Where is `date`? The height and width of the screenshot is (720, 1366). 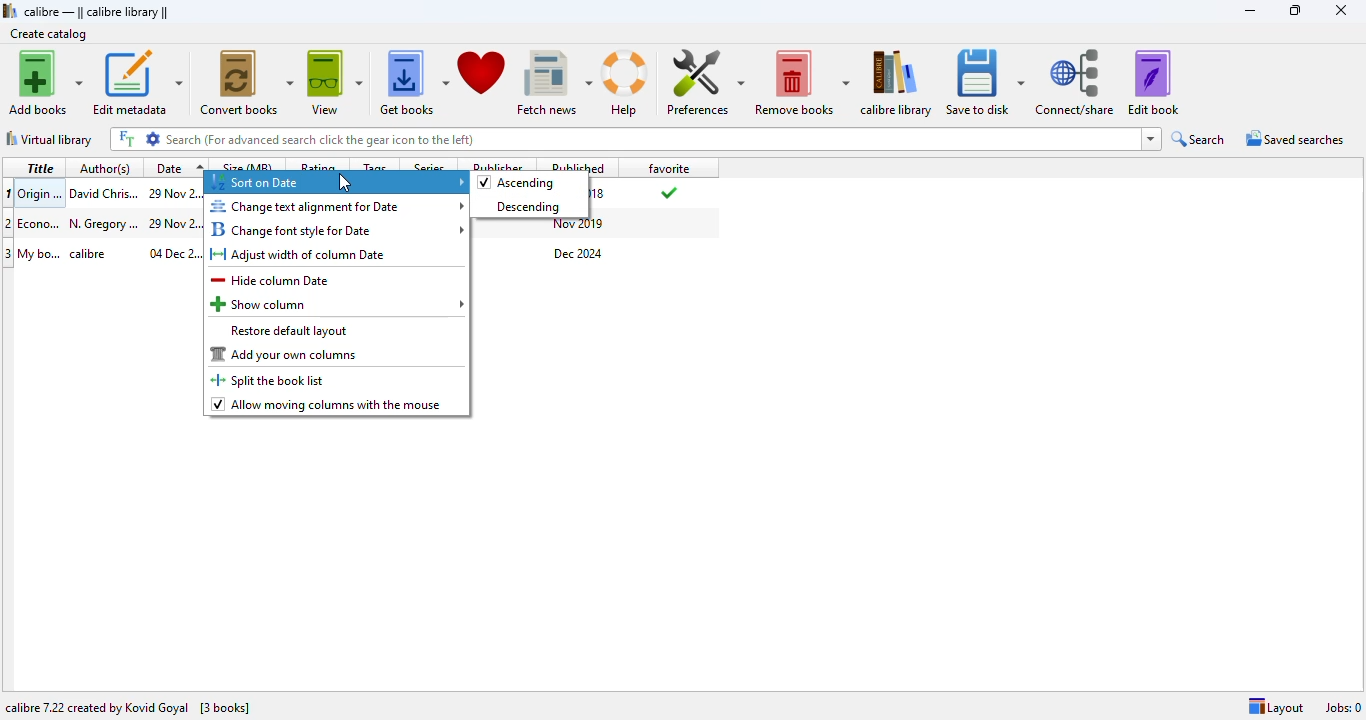
date is located at coordinates (178, 167).